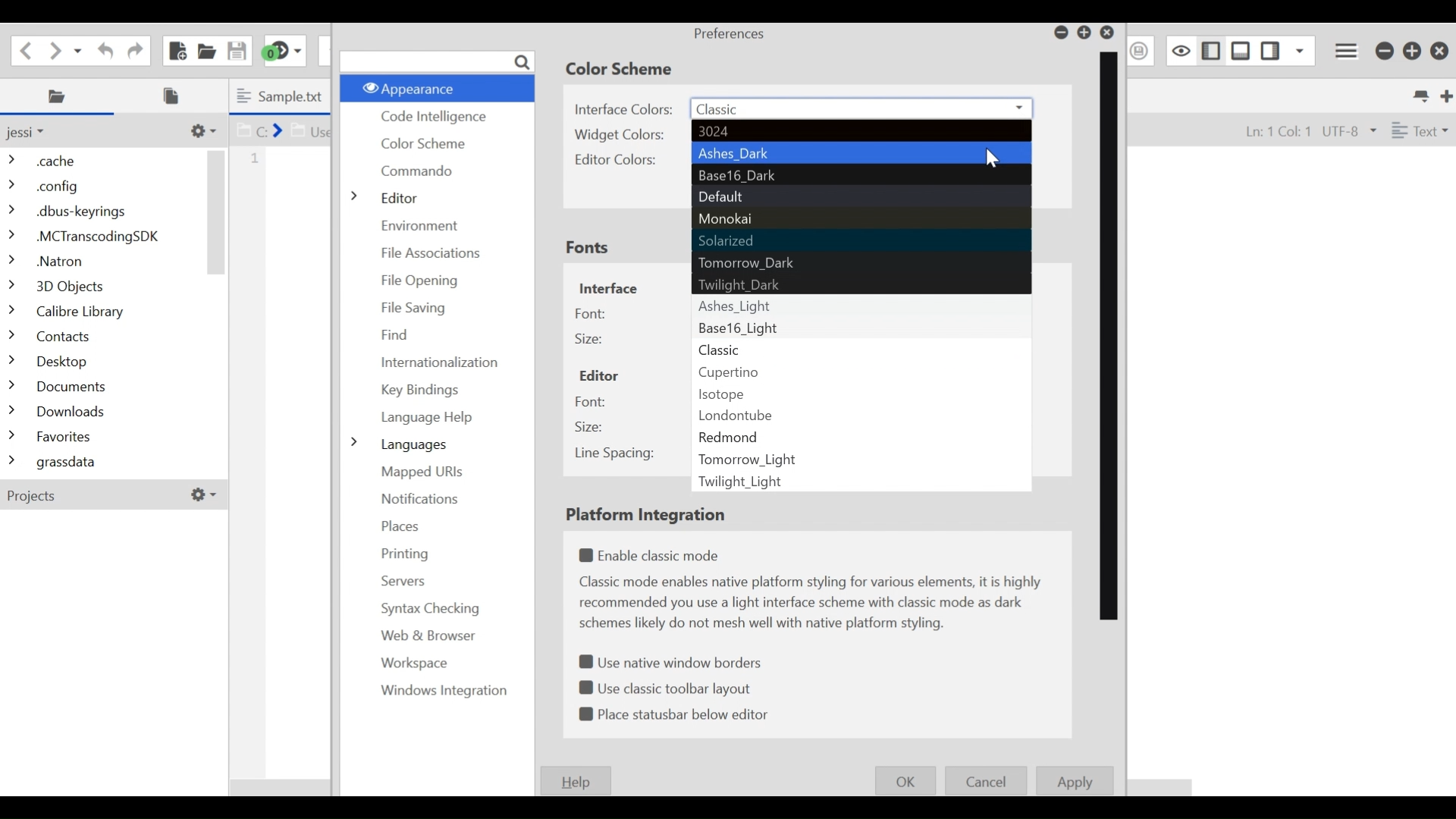 The height and width of the screenshot is (819, 1456). I want to click on Code Intelligence, so click(431, 118).